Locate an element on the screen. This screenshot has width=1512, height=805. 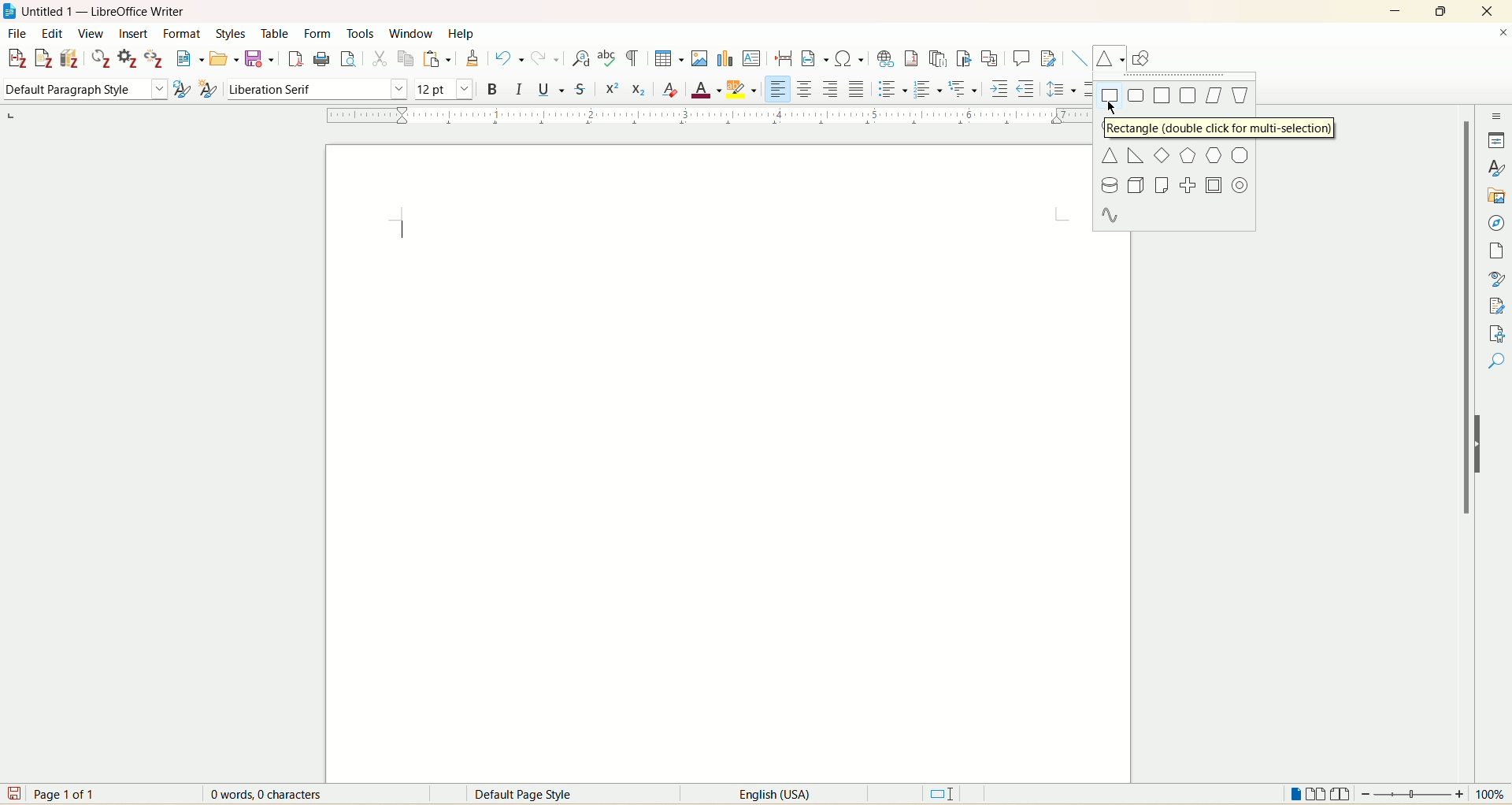
ruler is located at coordinates (693, 117).